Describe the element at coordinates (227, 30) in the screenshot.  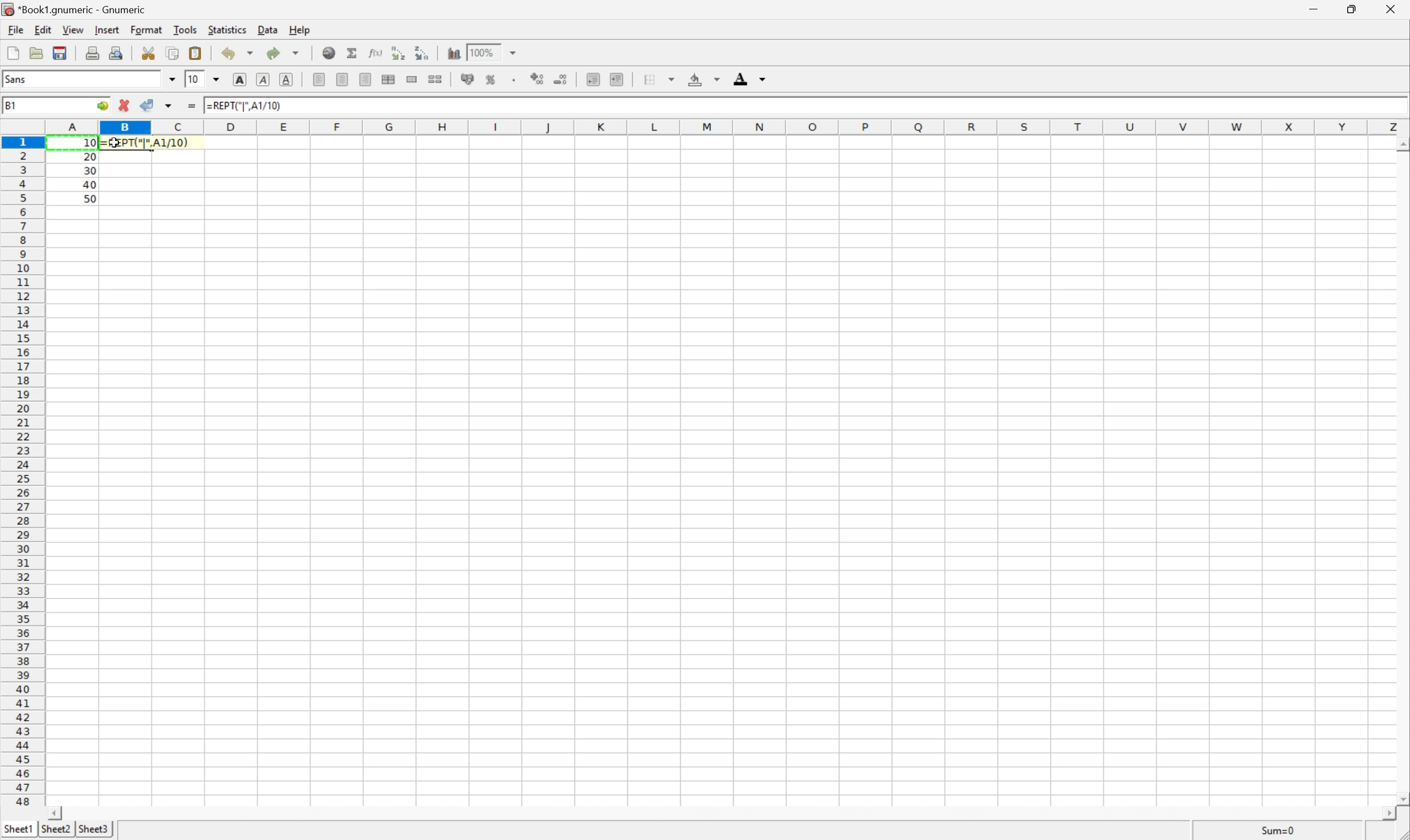
I see `Statistics` at that location.